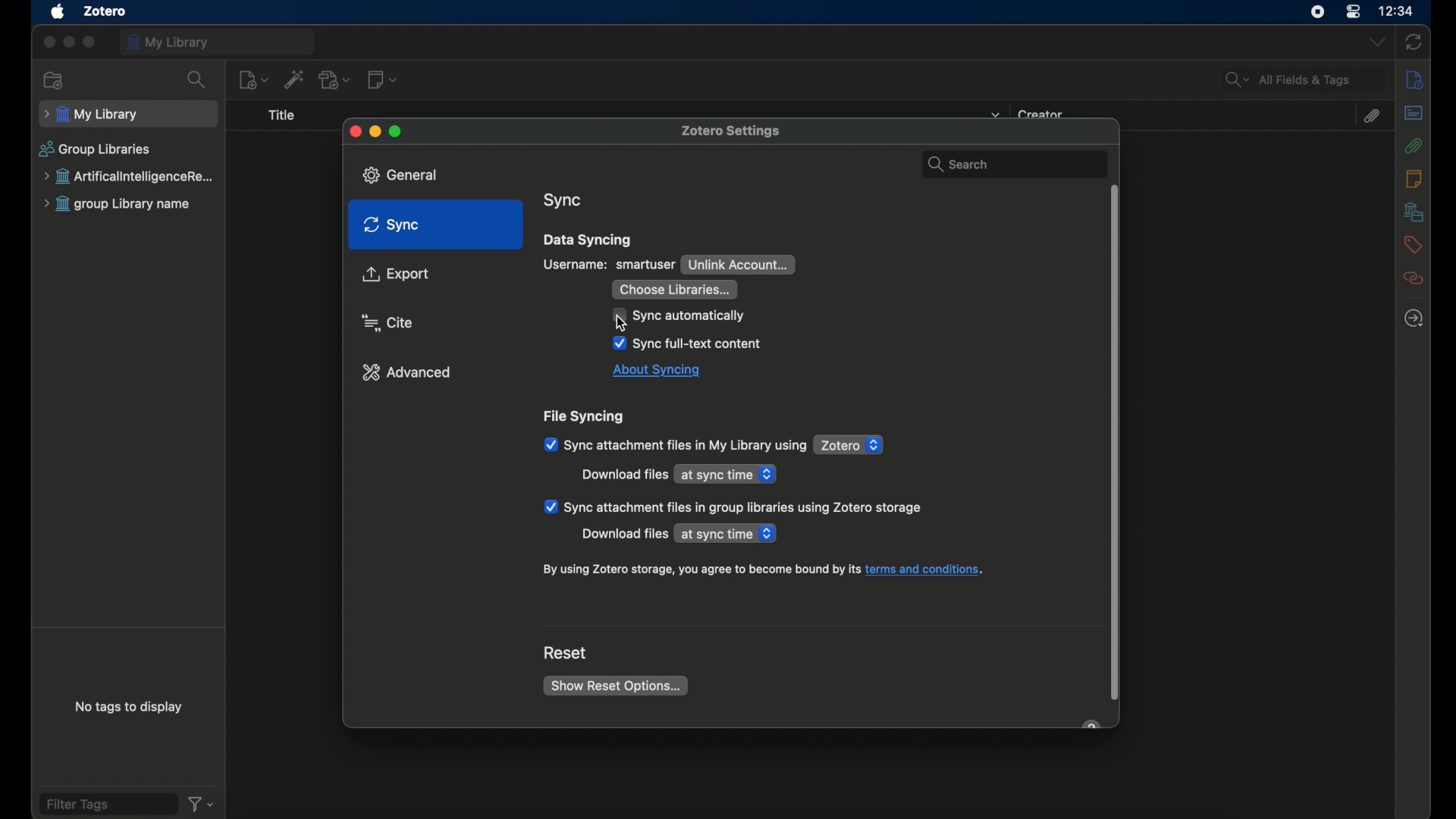  What do you see at coordinates (118, 205) in the screenshot?
I see `group library` at bounding box center [118, 205].